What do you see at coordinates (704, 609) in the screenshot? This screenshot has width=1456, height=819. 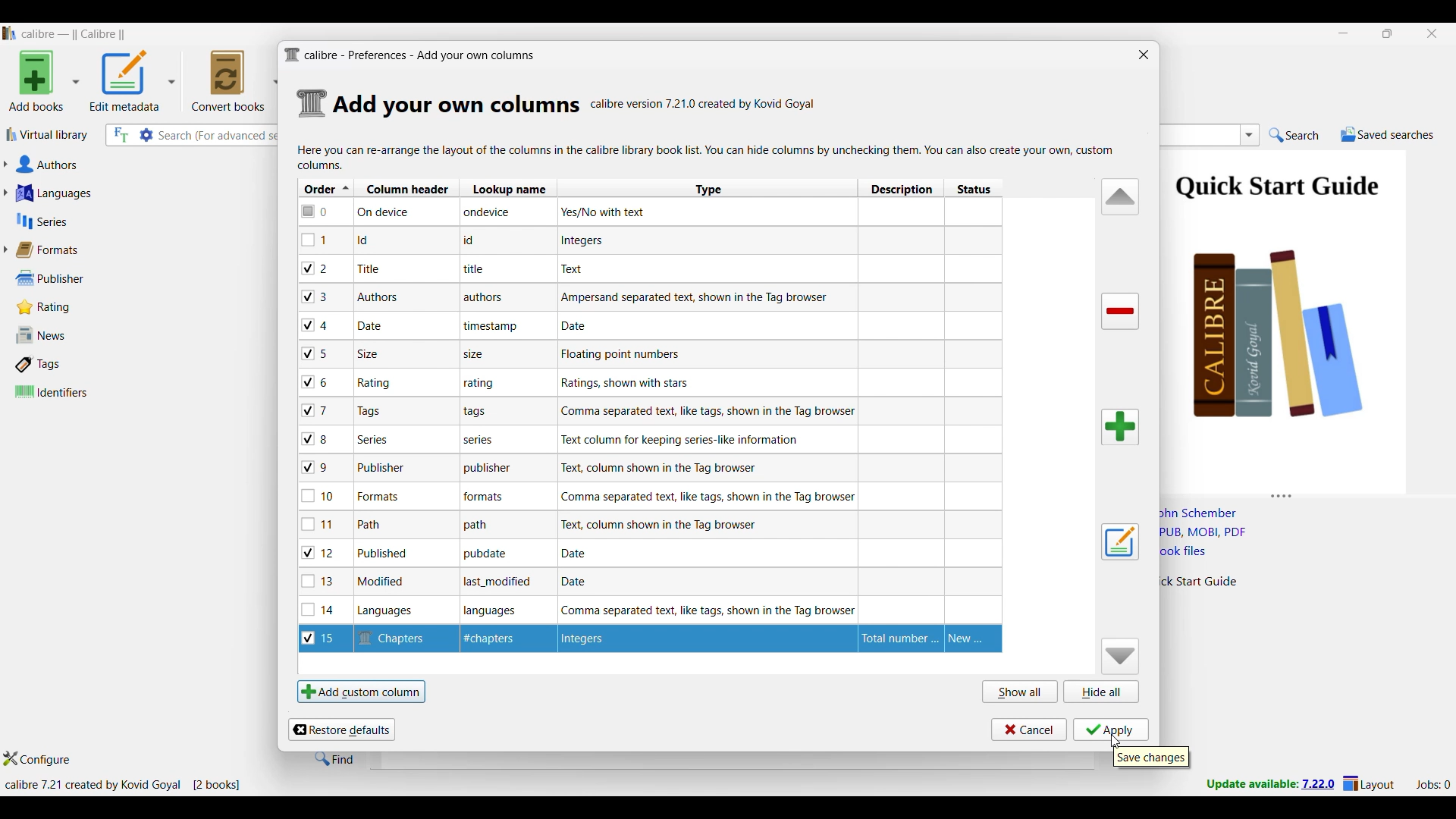 I see `Explanation` at bounding box center [704, 609].